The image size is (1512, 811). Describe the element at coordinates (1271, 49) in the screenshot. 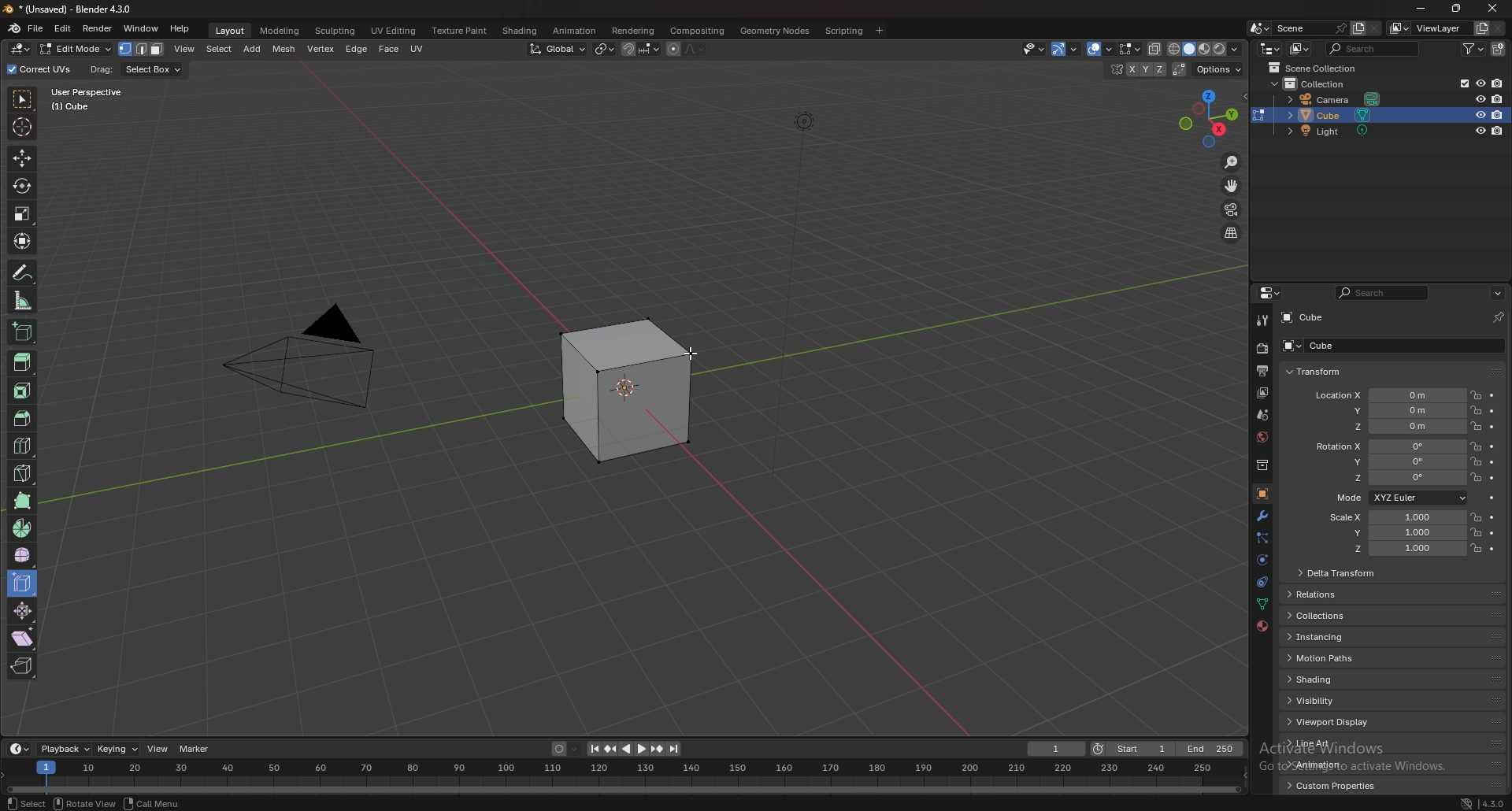

I see `editor type` at that location.